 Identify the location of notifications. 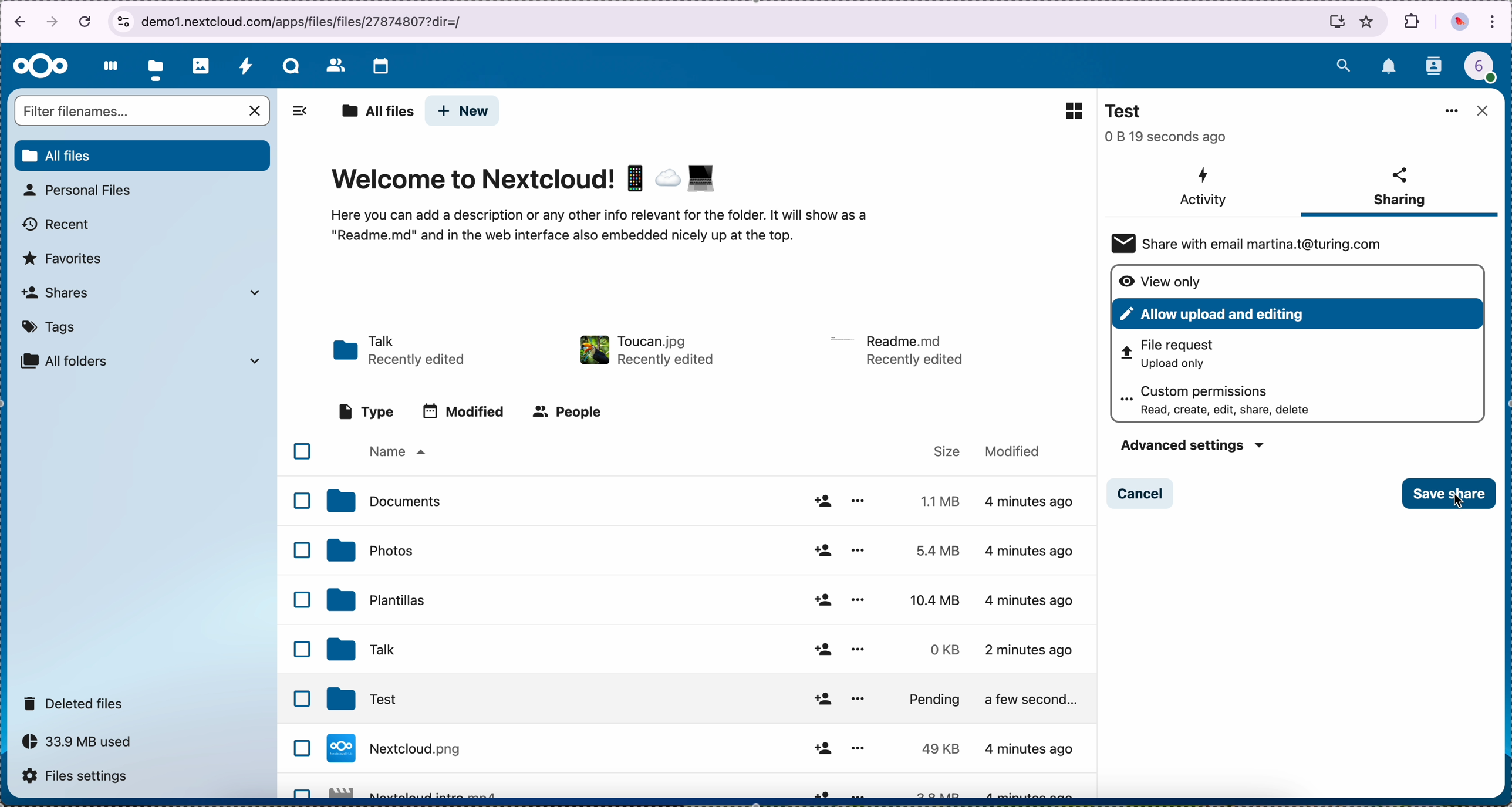
(1390, 67).